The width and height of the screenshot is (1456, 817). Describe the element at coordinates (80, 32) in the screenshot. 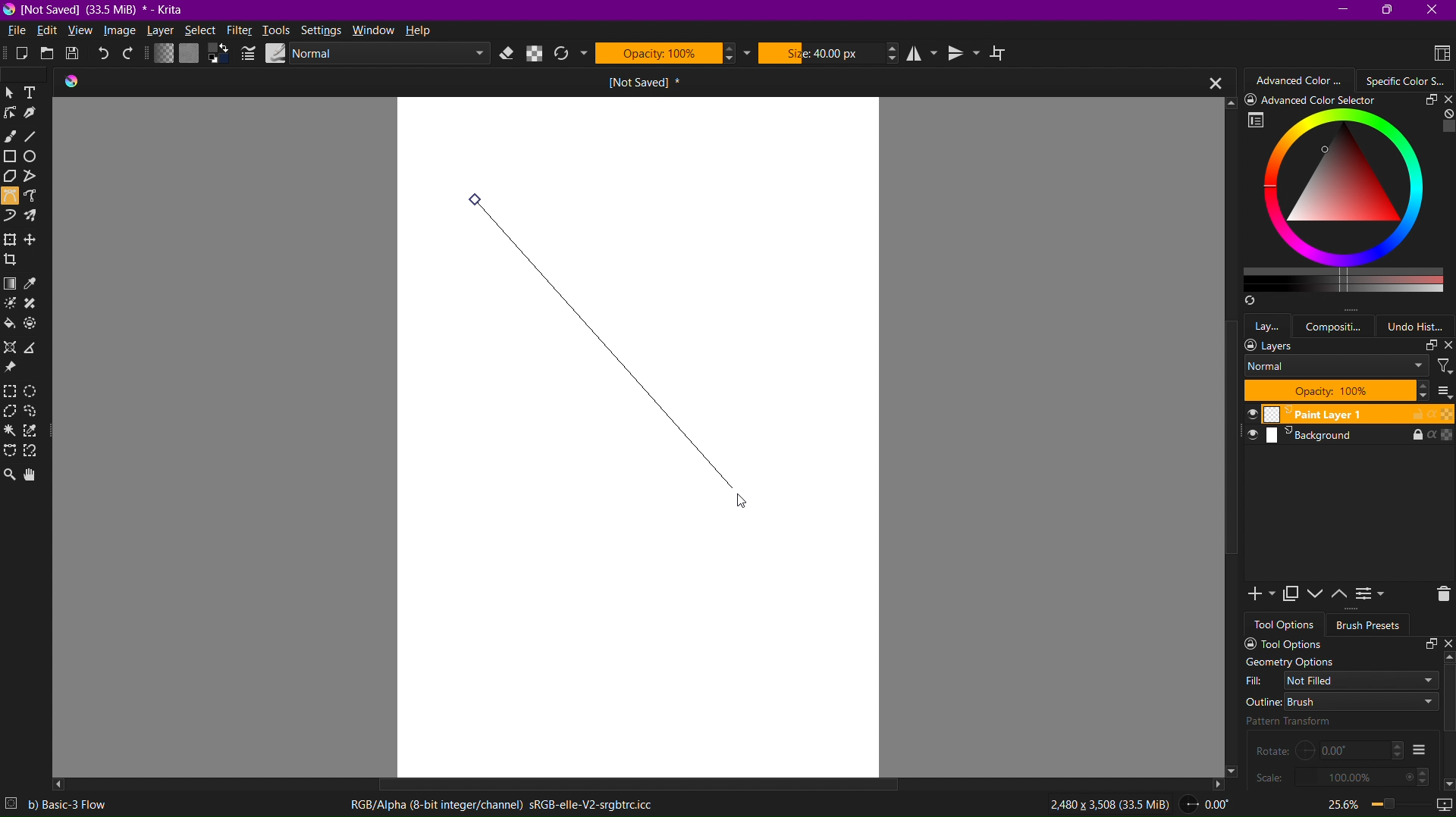

I see `View` at that location.